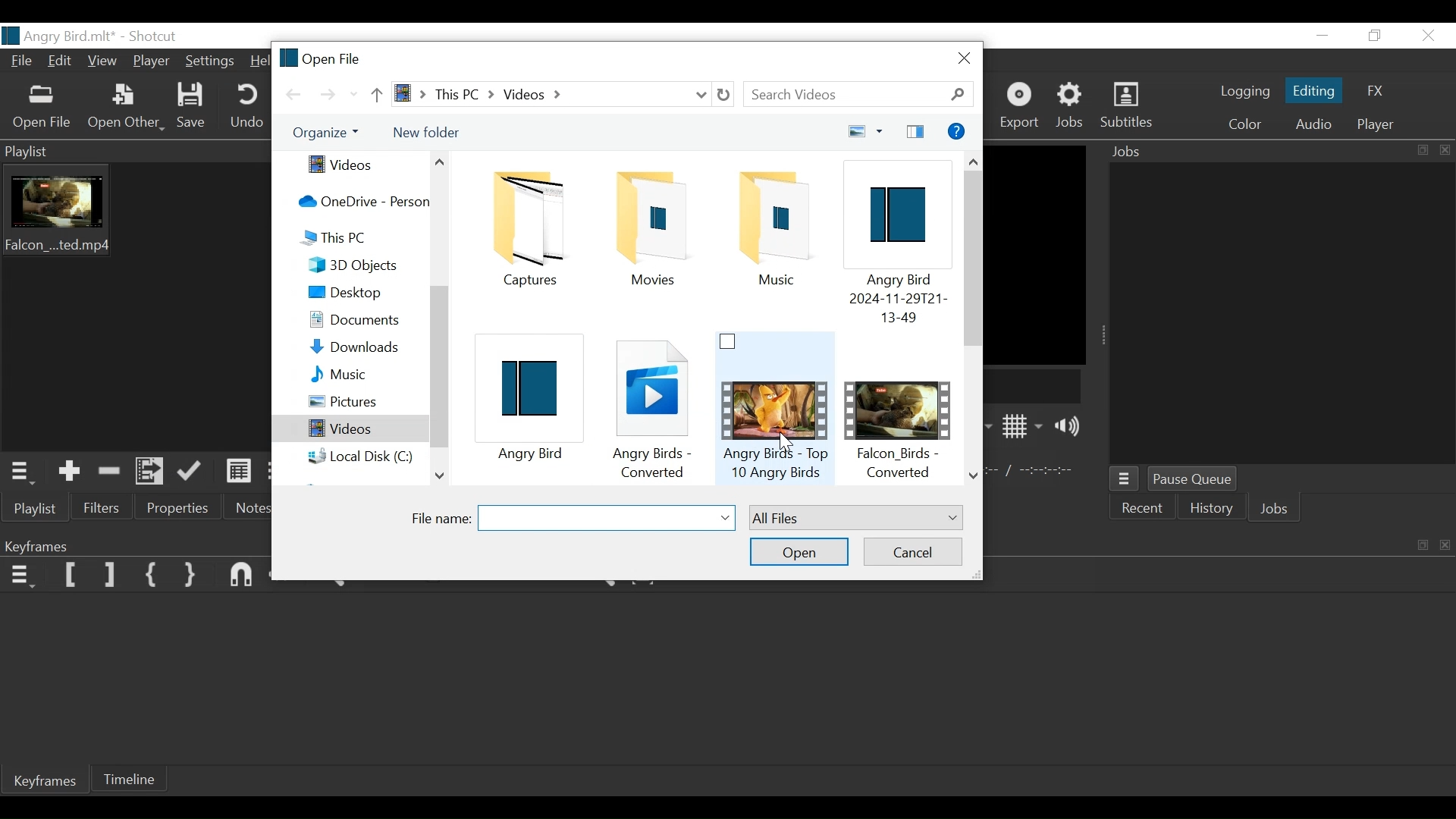  What do you see at coordinates (1070, 427) in the screenshot?
I see `Show Volume Control` at bounding box center [1070, 427].